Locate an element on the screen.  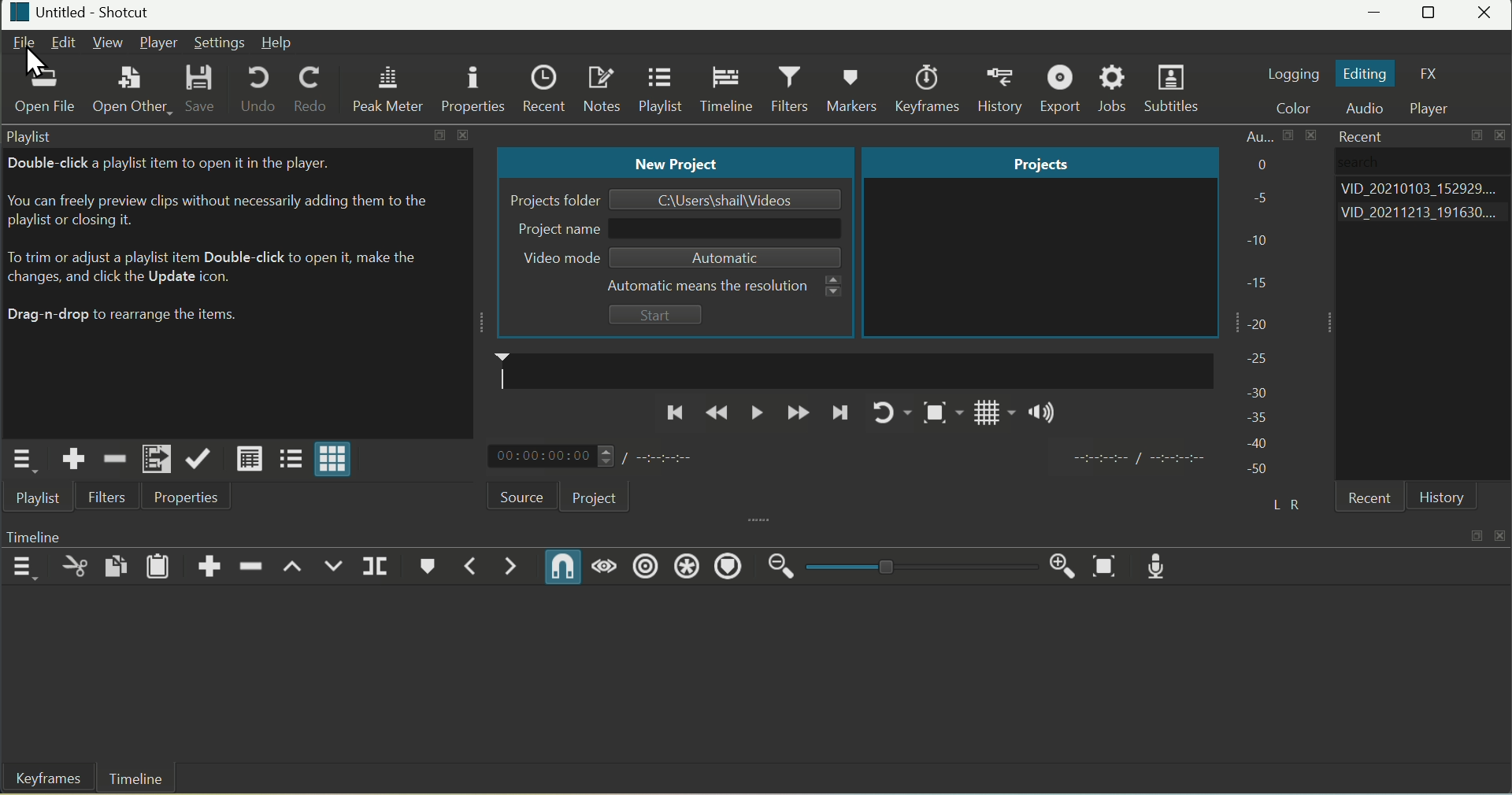
View is located at coordinates (106, 42).